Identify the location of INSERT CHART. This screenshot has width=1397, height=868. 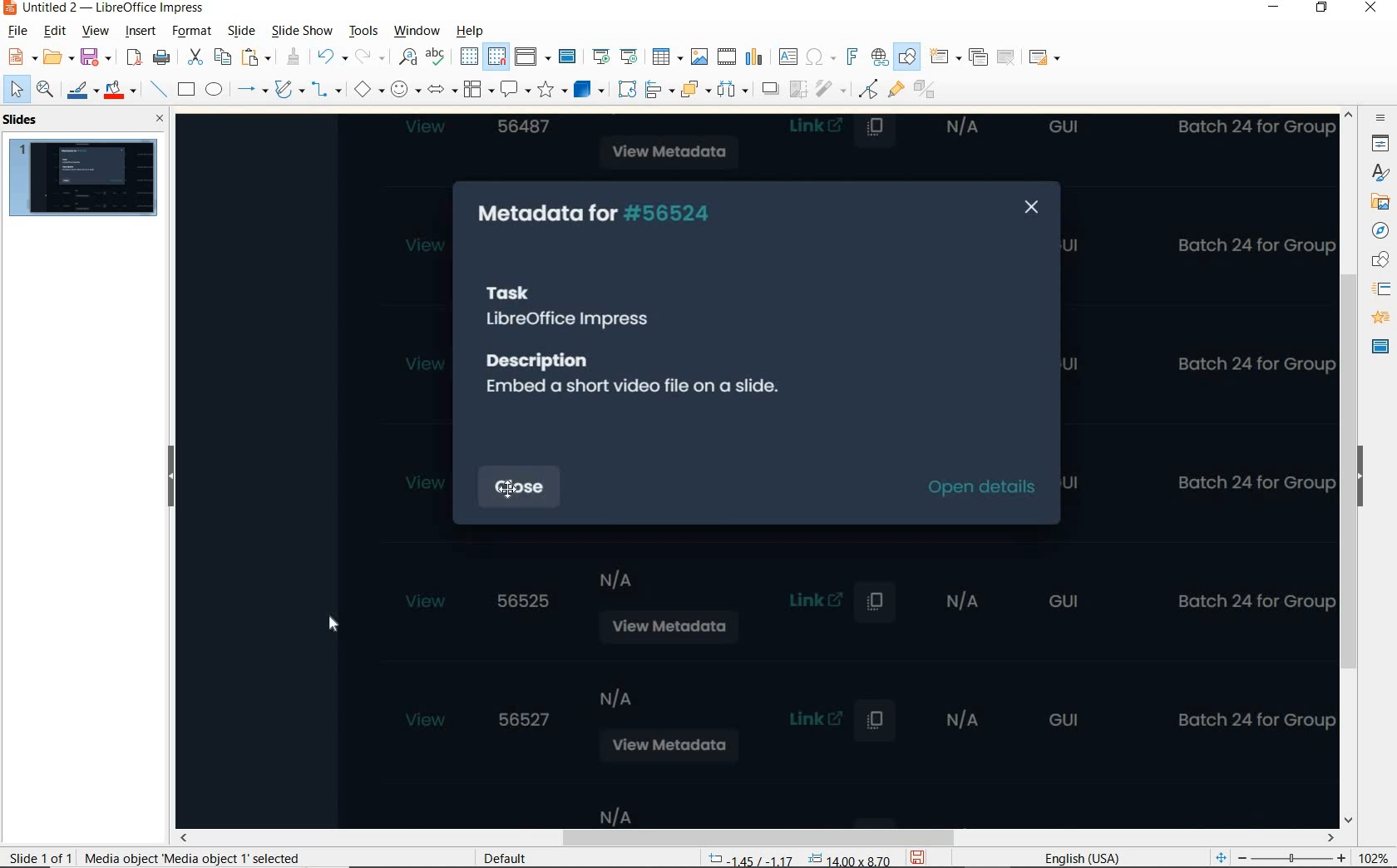
(756, 57).